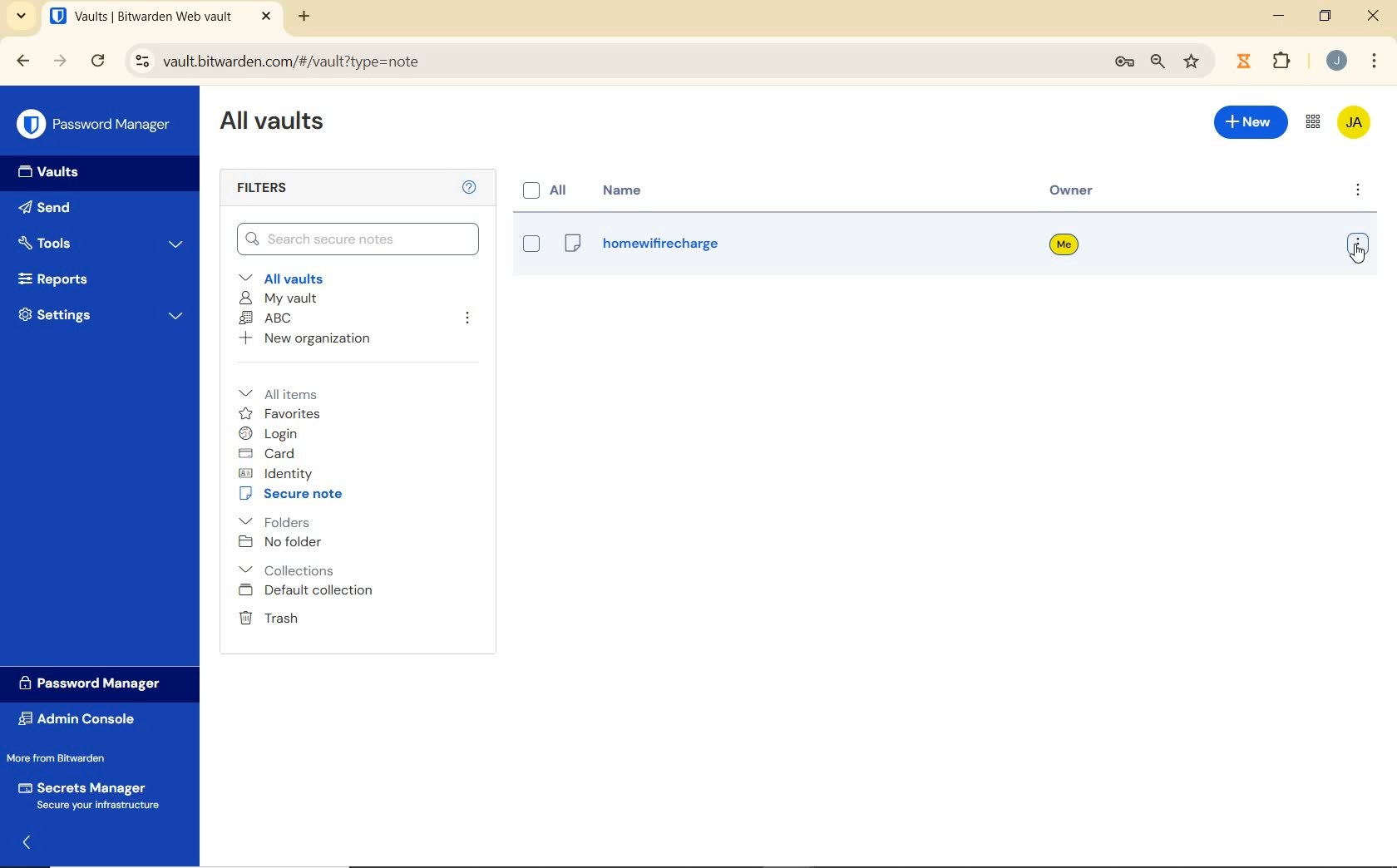  Describe the element at coordinates (358, 240) in the screenshot. I see `Search Vault` at that location.